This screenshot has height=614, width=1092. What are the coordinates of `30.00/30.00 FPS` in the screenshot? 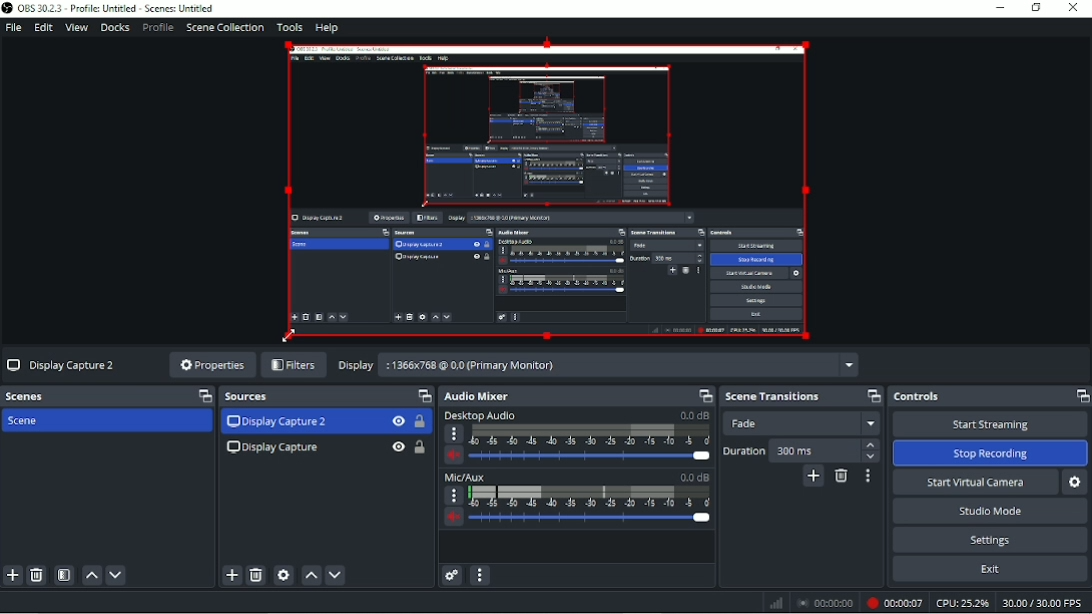 It's located at (1045, 604).